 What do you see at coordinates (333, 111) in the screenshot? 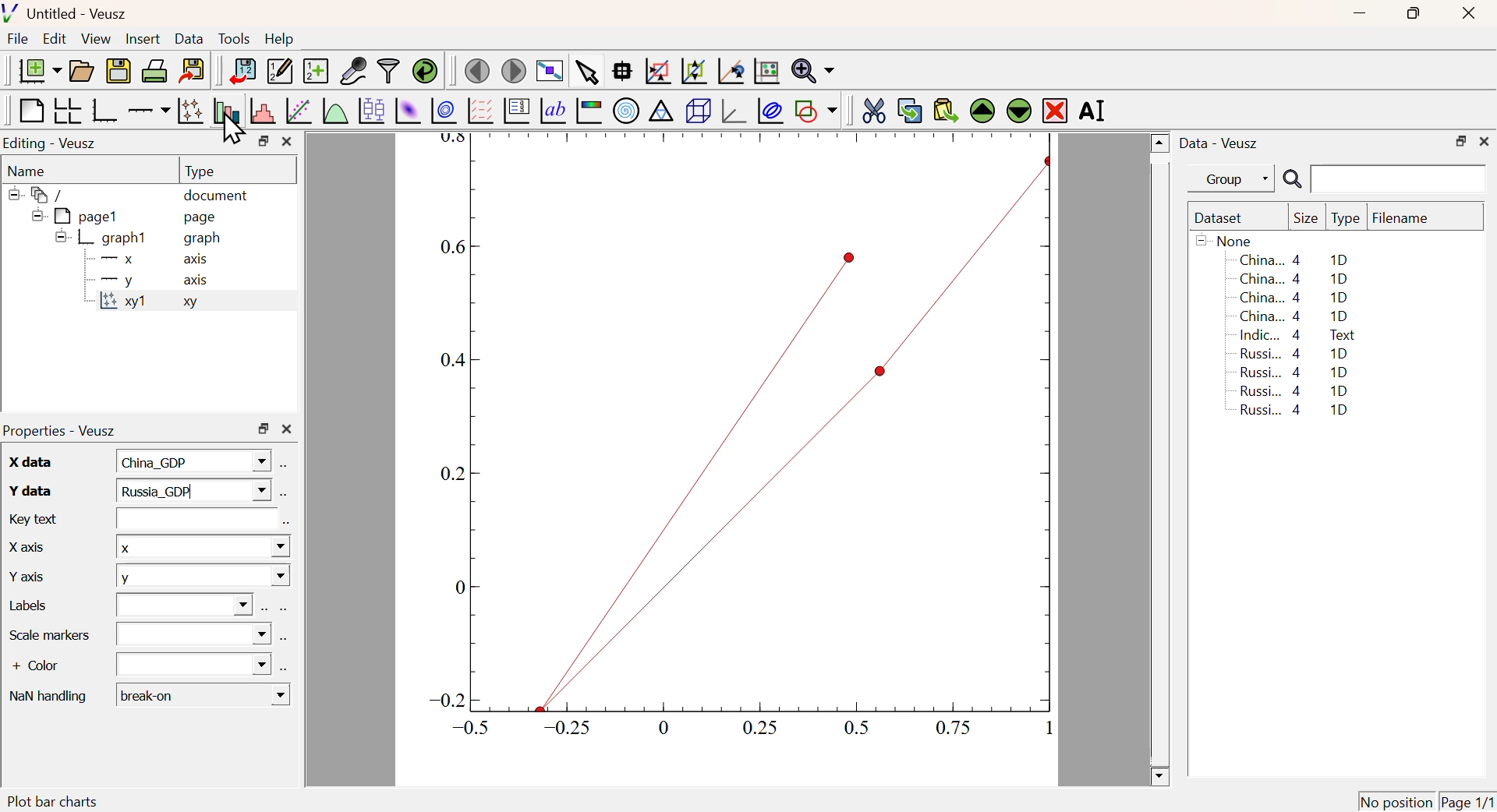
I see `Plot a function` at bounding box center [333, 111].